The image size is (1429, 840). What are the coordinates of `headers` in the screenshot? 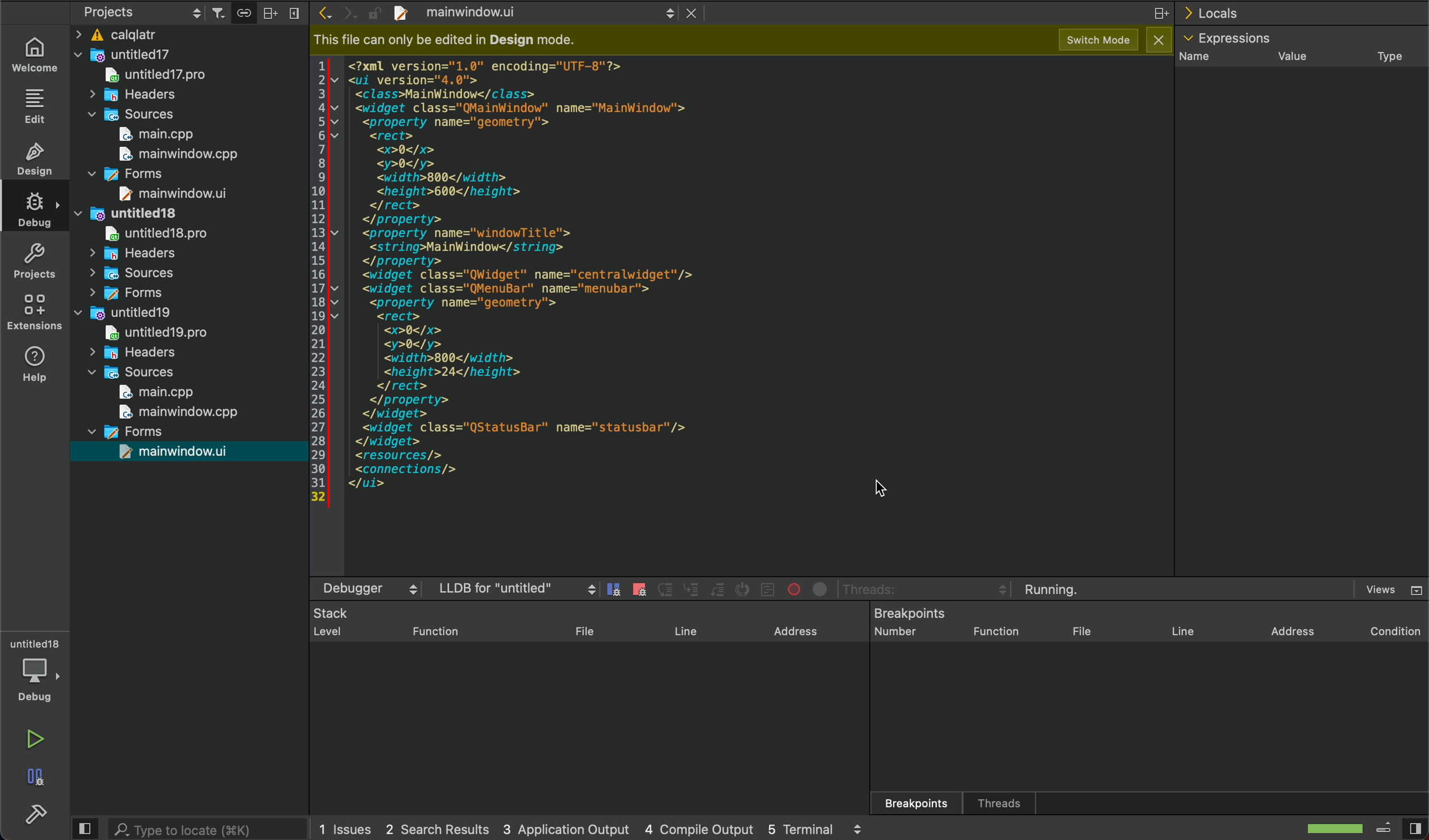 It's located at (140, 255).